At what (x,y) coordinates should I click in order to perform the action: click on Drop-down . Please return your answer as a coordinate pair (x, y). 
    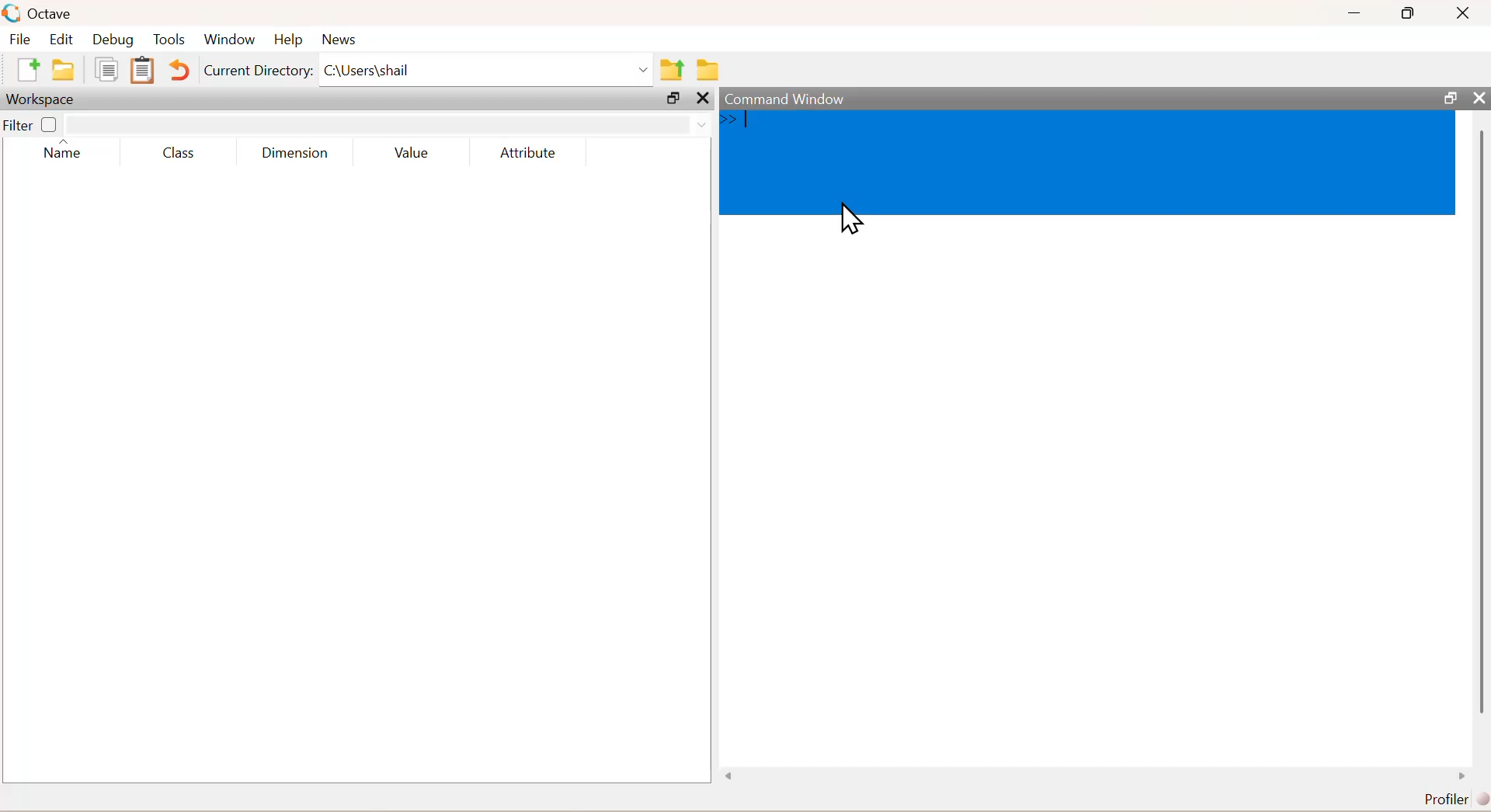
    Looking at the image, I should click on (703, 125).